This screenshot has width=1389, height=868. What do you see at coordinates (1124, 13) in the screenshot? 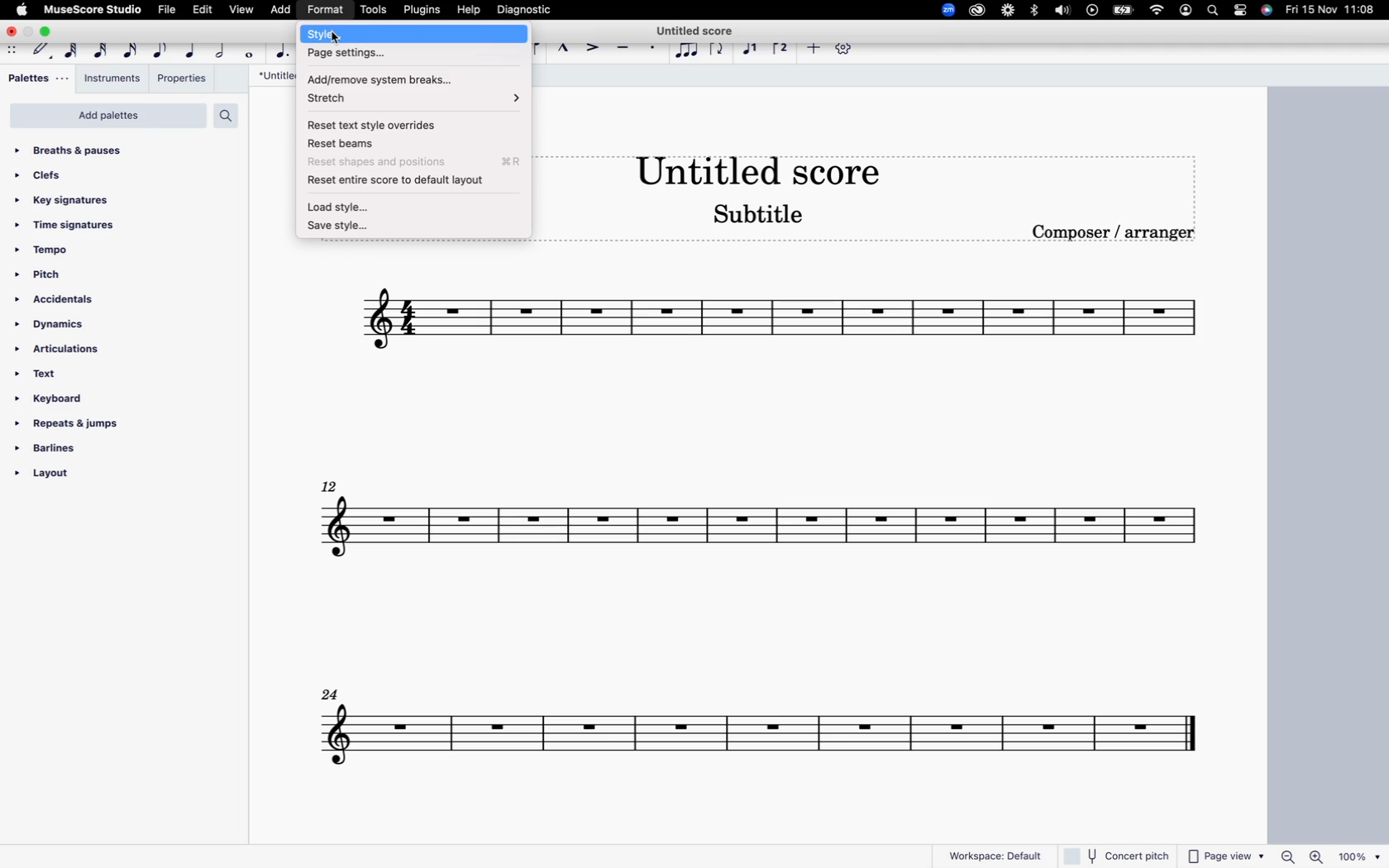
I see `battery` at bounding box center [1124, 13].